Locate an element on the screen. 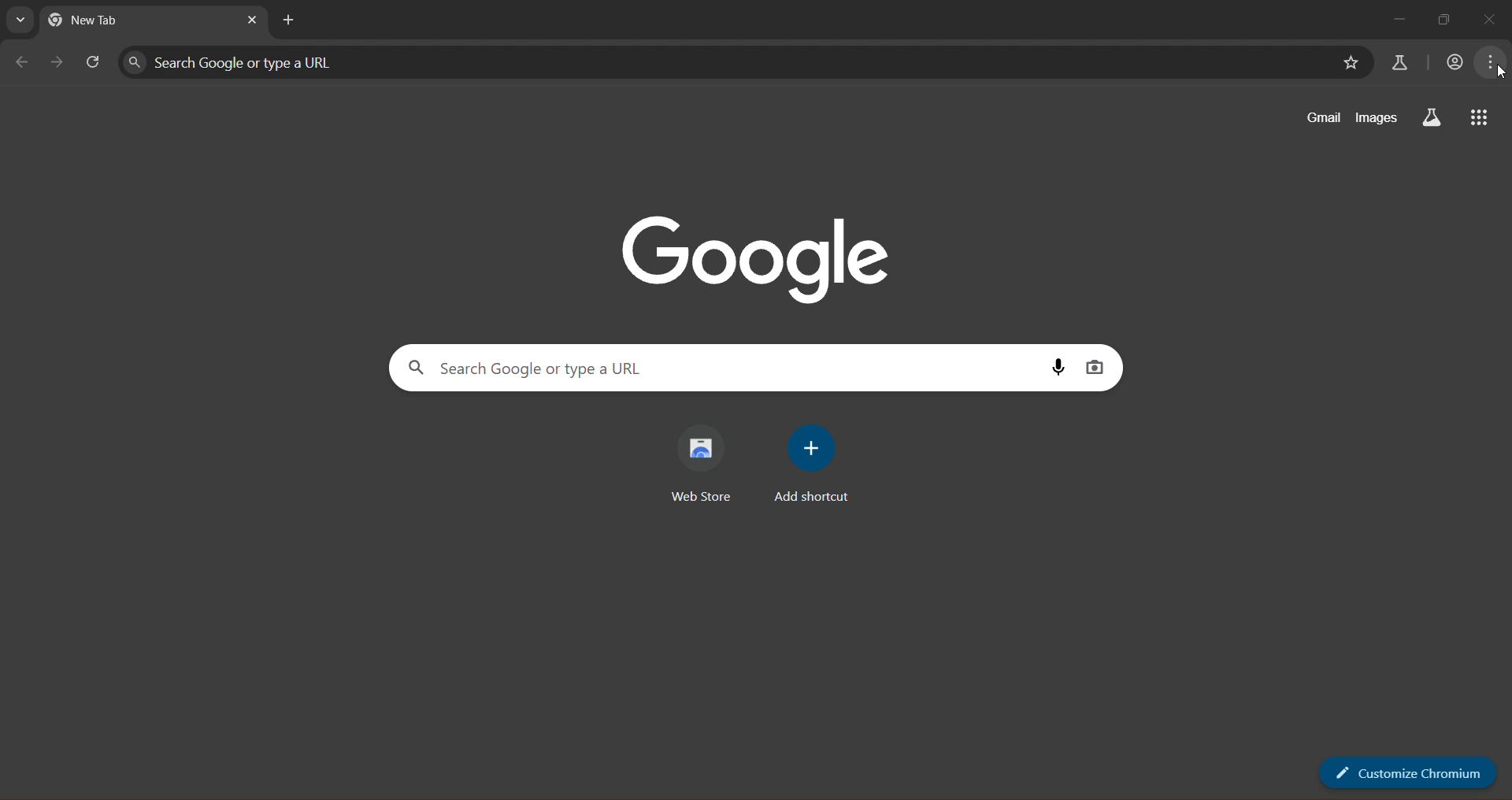 This screenshot has height=800, width=1512. minimize is located at coordinates (1396, 16).